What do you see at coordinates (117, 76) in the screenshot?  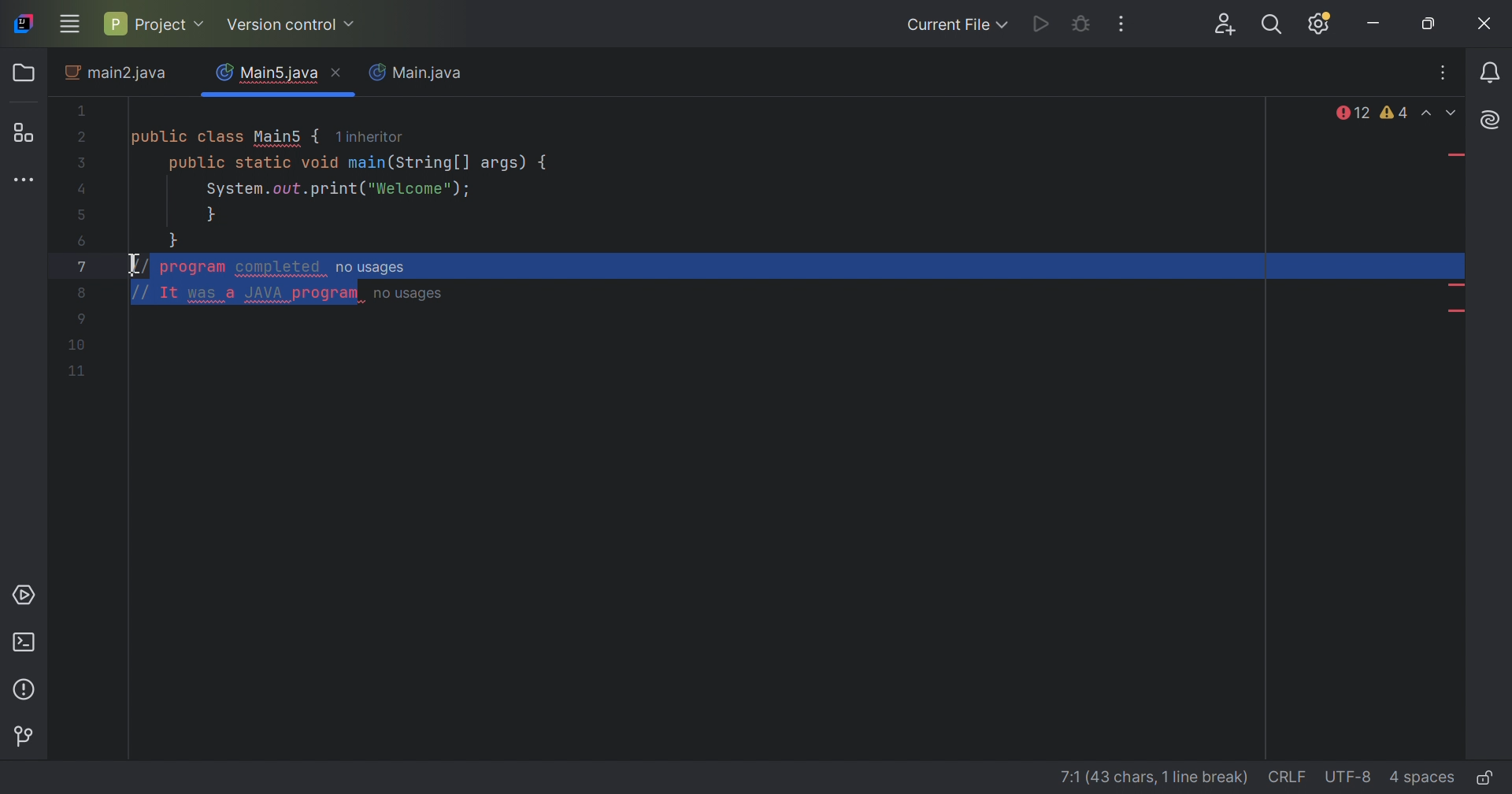 I see `main2.java` at bounding box center [117, 76].